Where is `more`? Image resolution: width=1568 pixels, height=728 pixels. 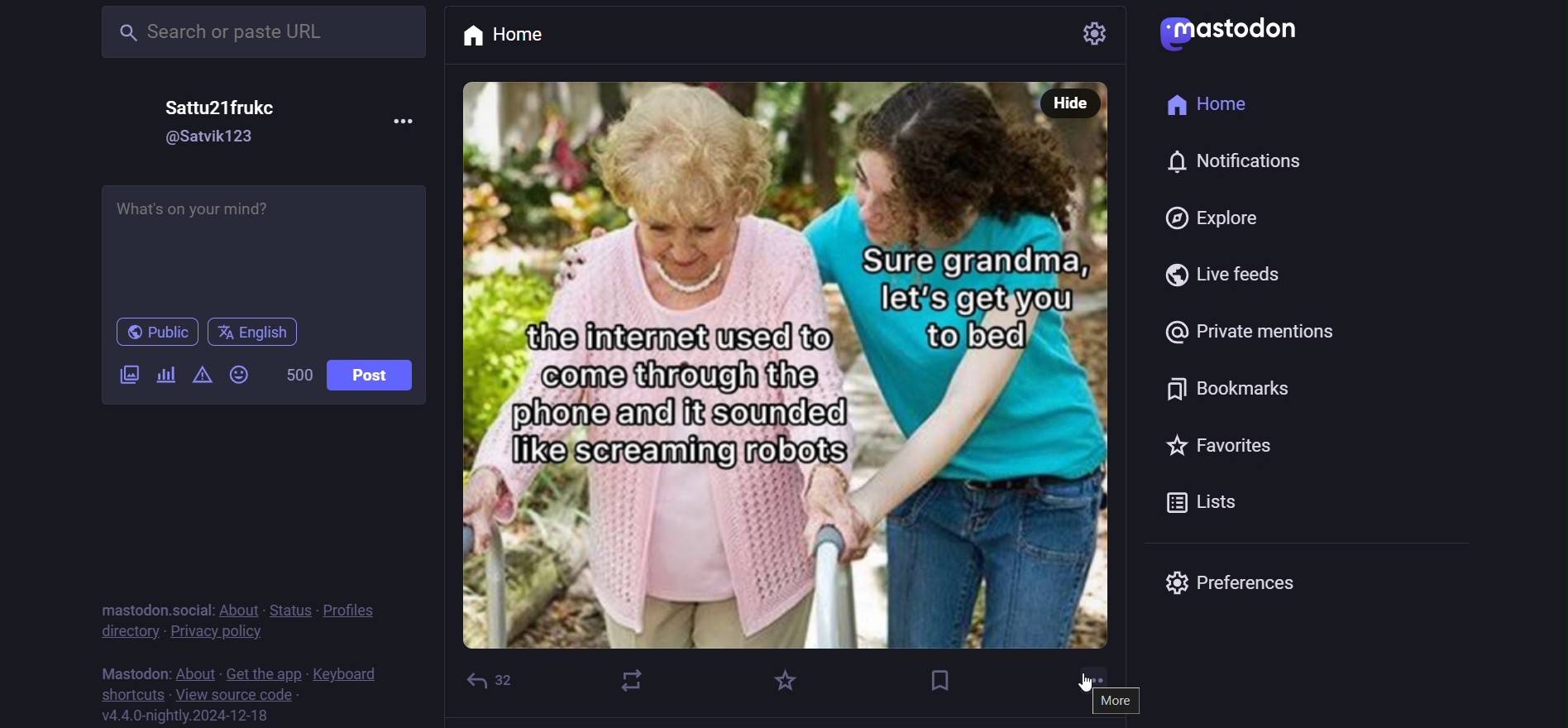
more is located at coordinates (408, 125).